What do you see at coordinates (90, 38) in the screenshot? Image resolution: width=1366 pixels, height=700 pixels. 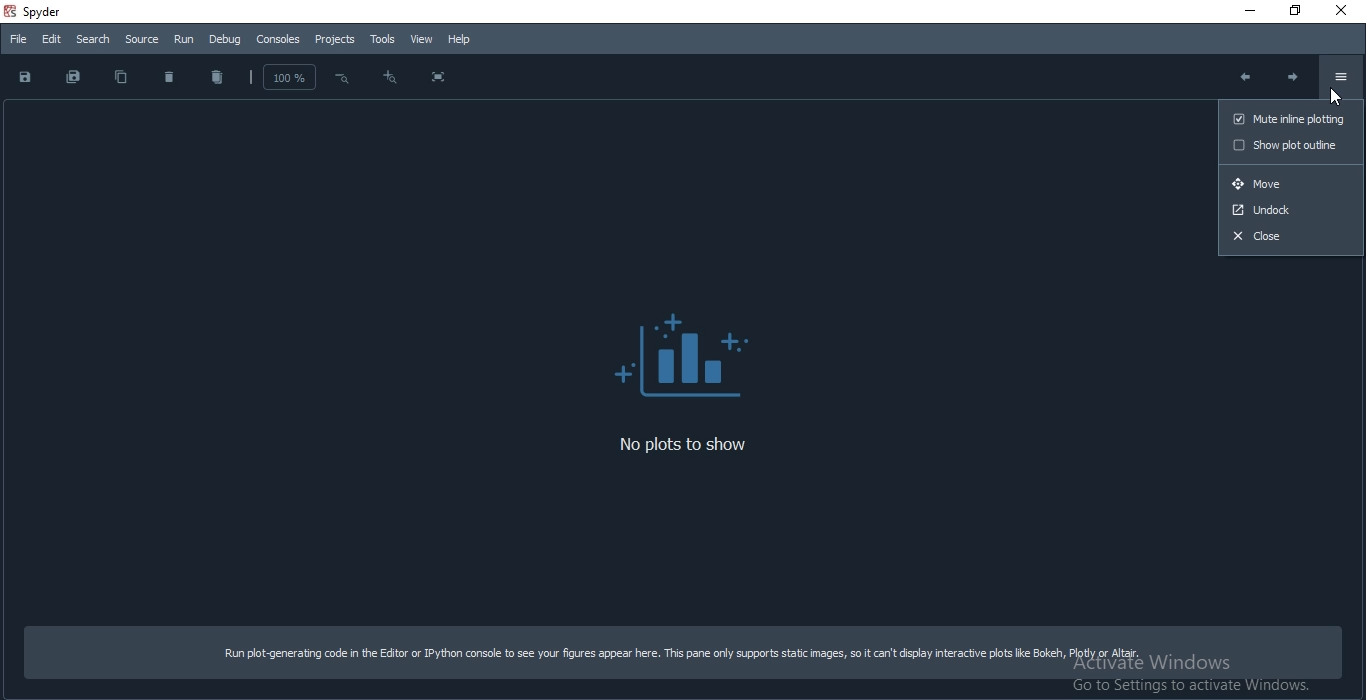 I see `Search` at bounding box center [90, 38].